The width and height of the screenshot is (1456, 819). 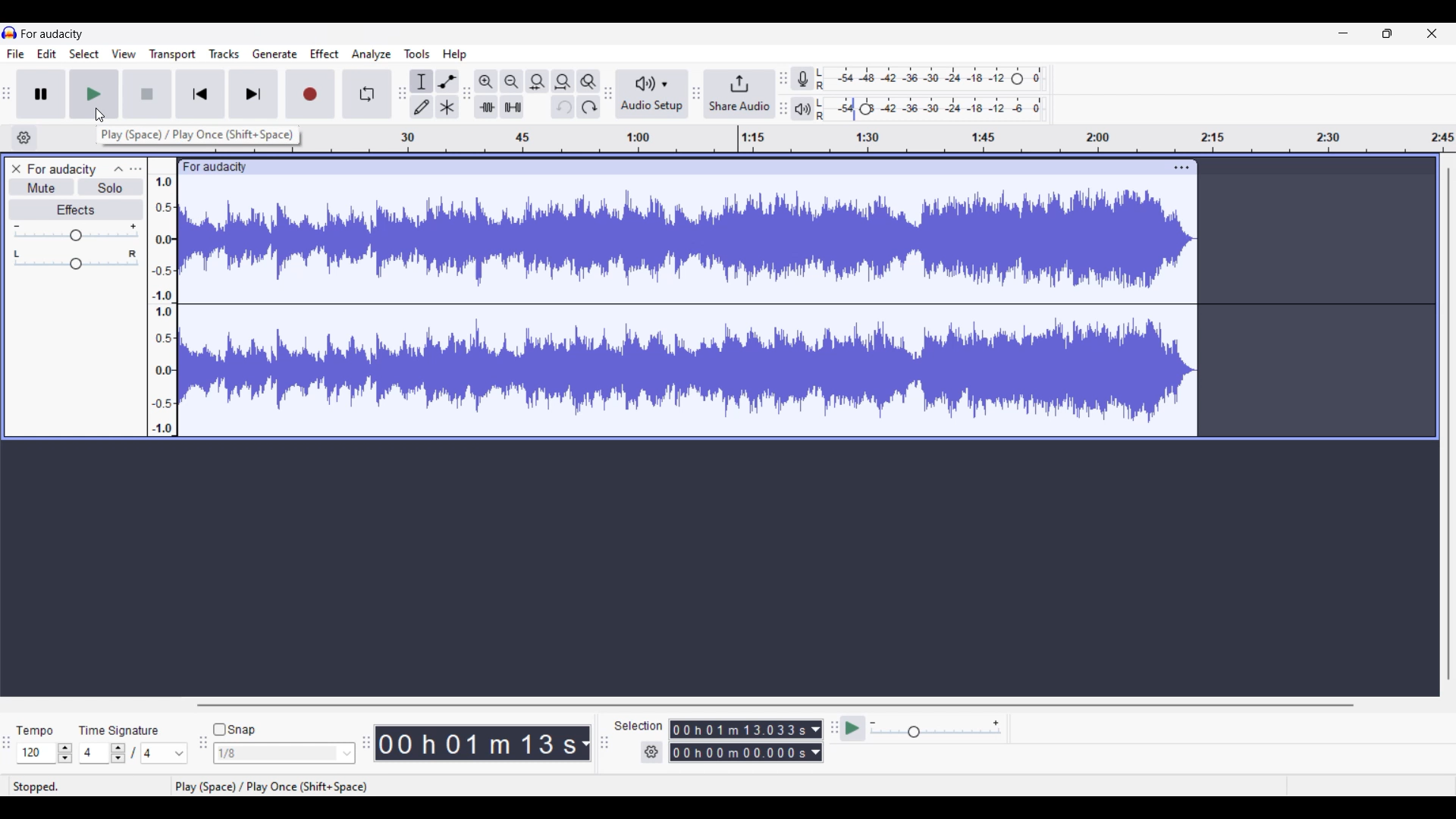 What do you see at coordinates (39, 787) in the screenshot?
I see `stopped` at bounding box center [39, 787].